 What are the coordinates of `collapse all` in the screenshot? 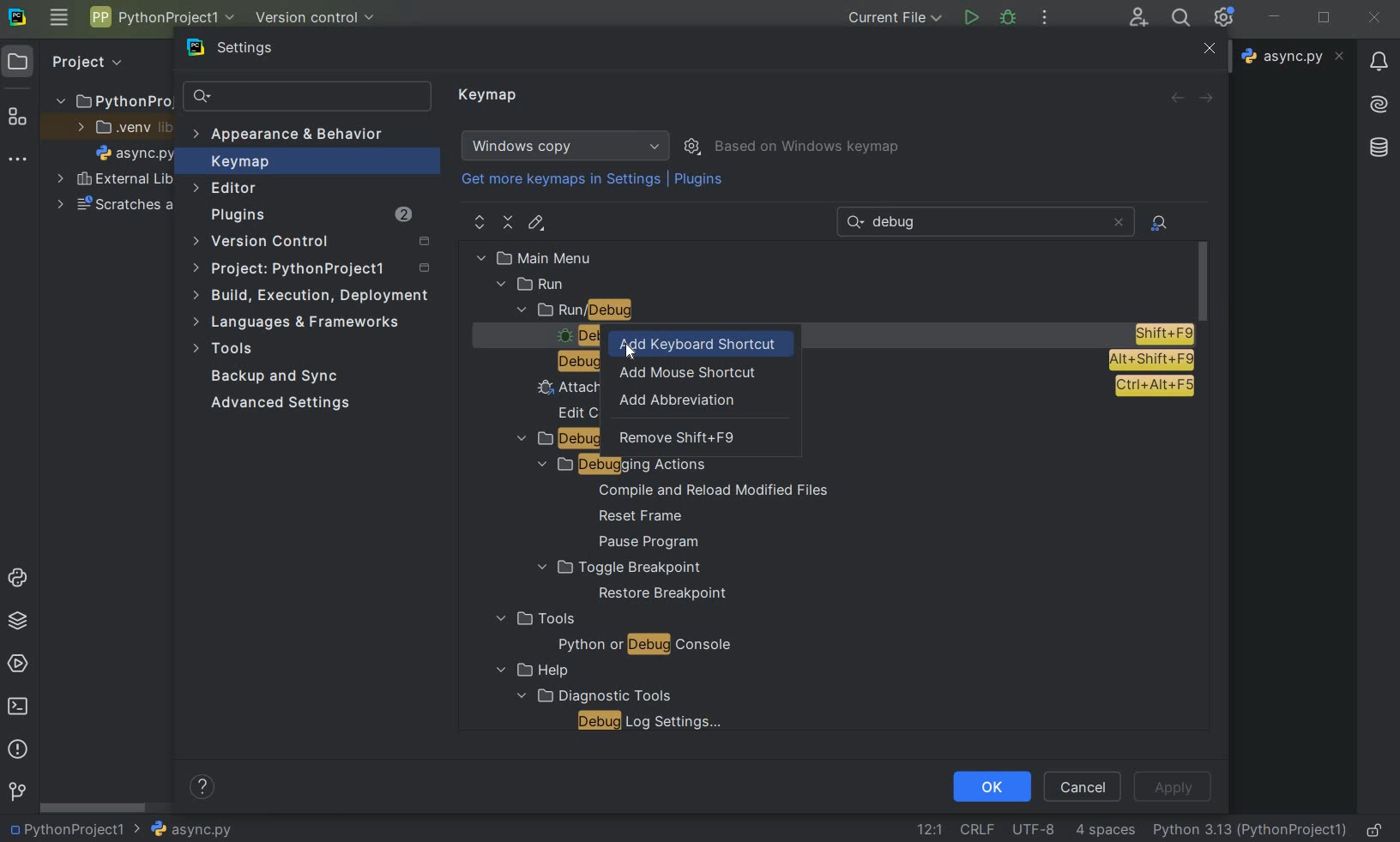 It's located at (509, 223).